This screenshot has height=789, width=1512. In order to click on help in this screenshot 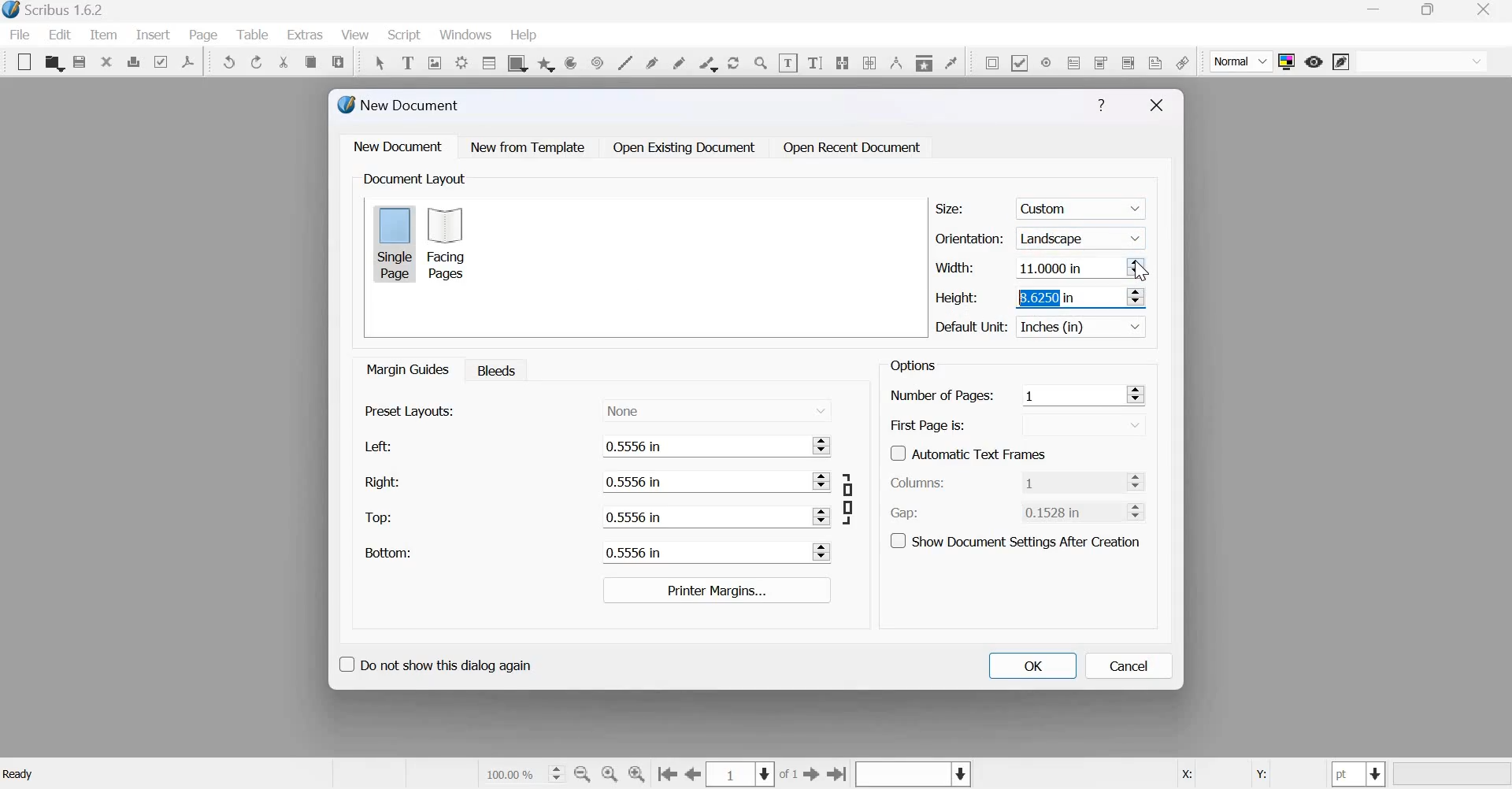, I will do `click(524, 35)`.